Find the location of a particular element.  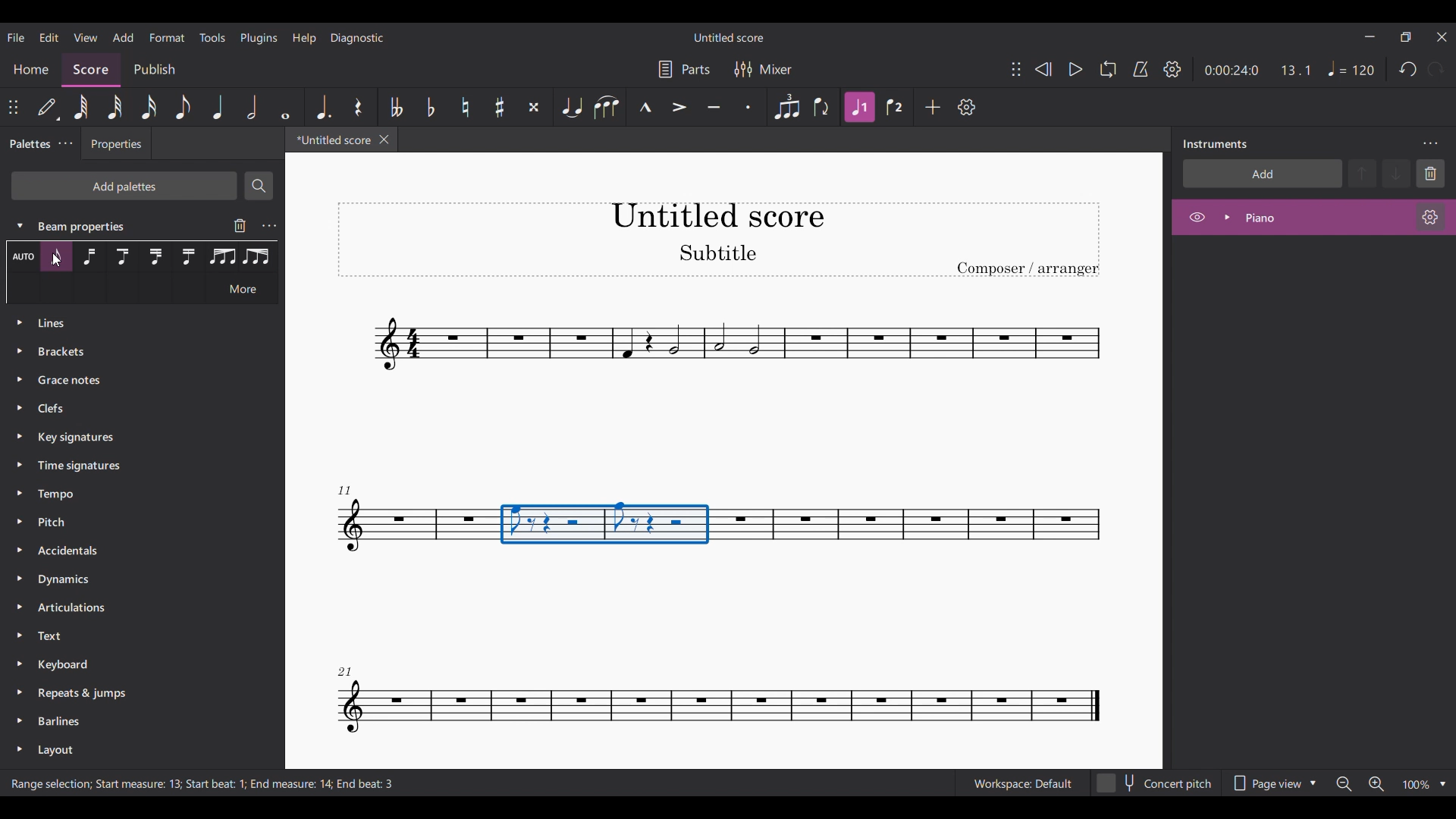

Add instrument is located at coordinates (1263, 173).